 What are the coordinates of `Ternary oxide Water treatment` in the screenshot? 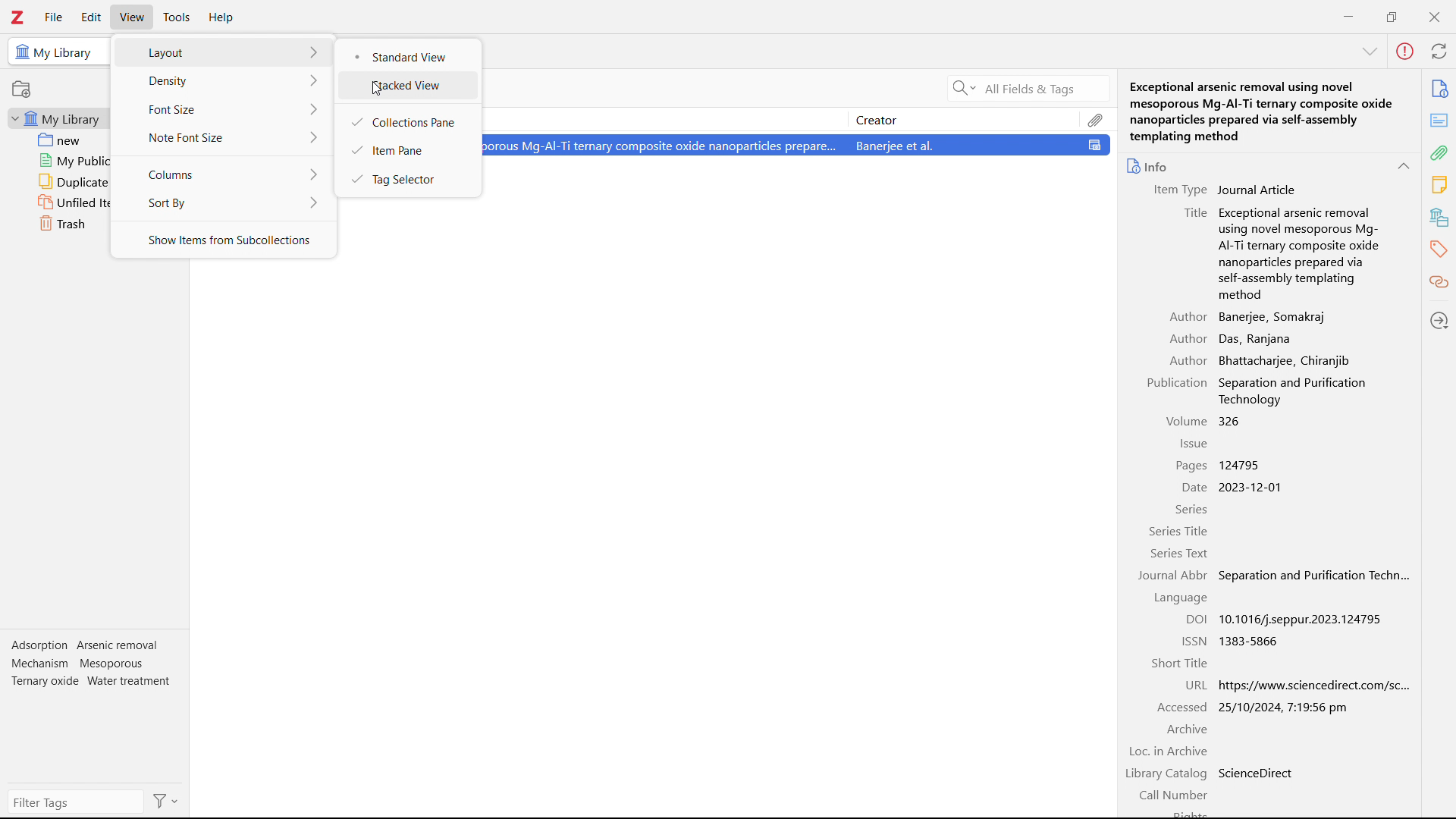 It's located at (92, 680).